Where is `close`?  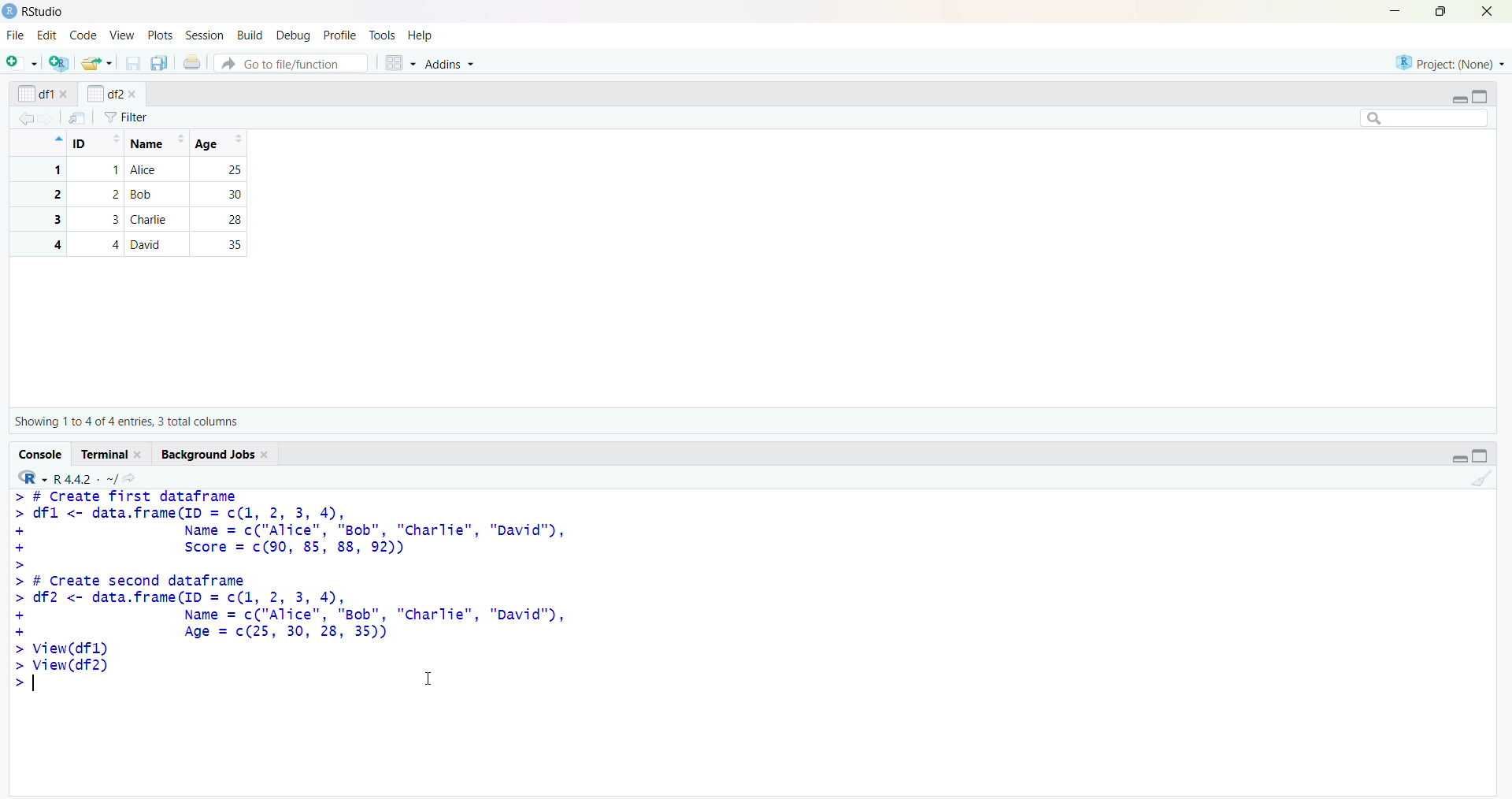
close is located at coordinates (65, 94).